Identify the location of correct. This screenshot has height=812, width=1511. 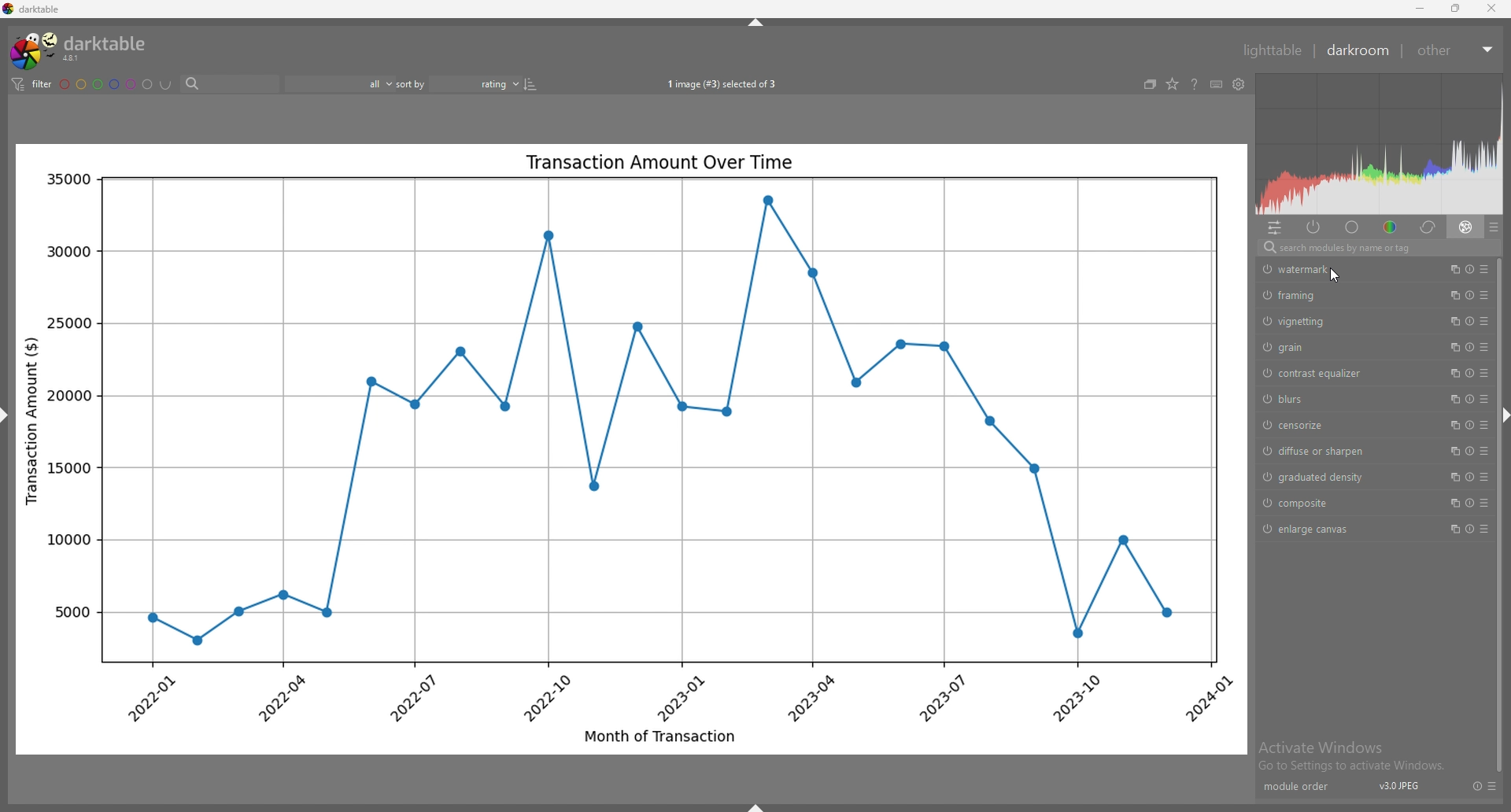
(1426, 227).